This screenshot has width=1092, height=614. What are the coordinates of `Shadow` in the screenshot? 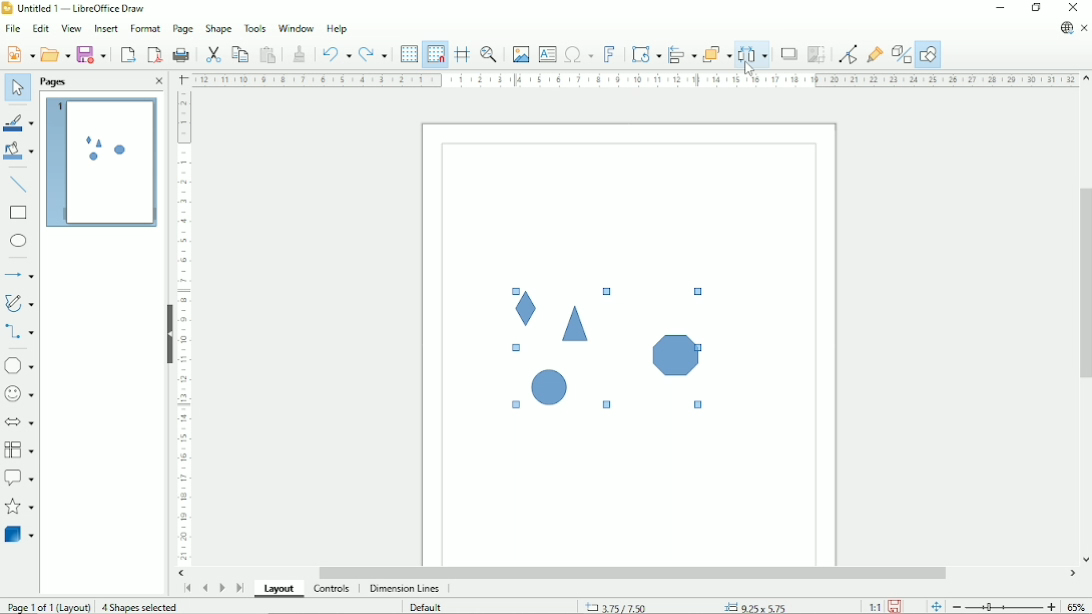 It's located at (786, 53).